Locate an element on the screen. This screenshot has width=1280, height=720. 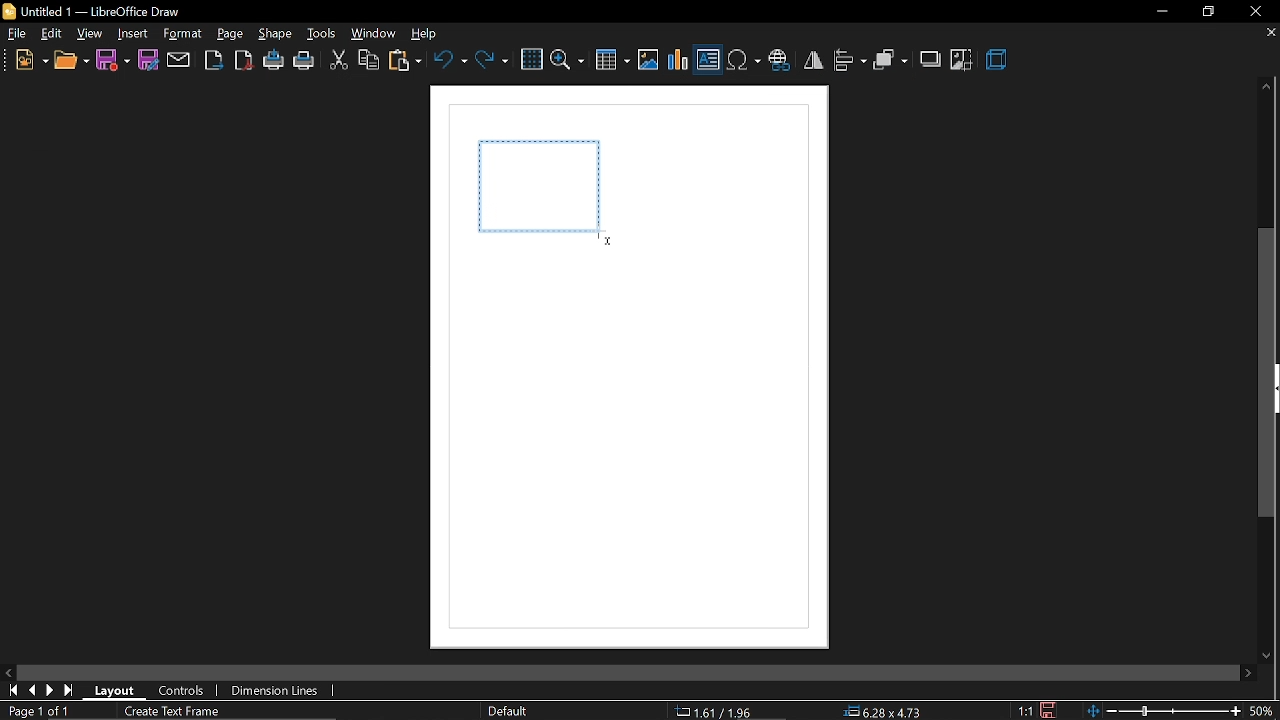
page style is located at coordinates (511, 711).